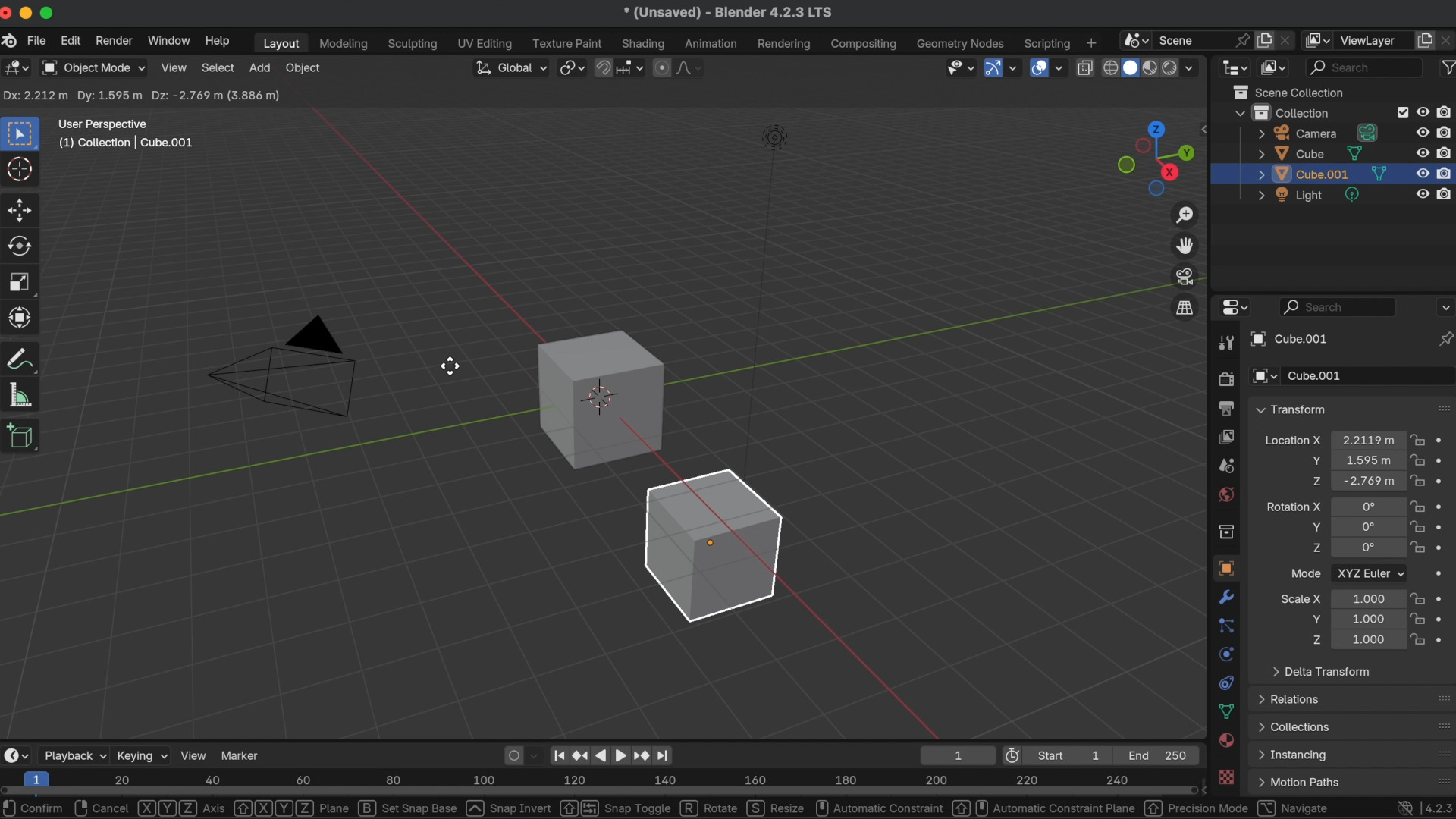 This screenshot has width=1456, height=819. I want to click on Precision Mode, so click(1197, 808).